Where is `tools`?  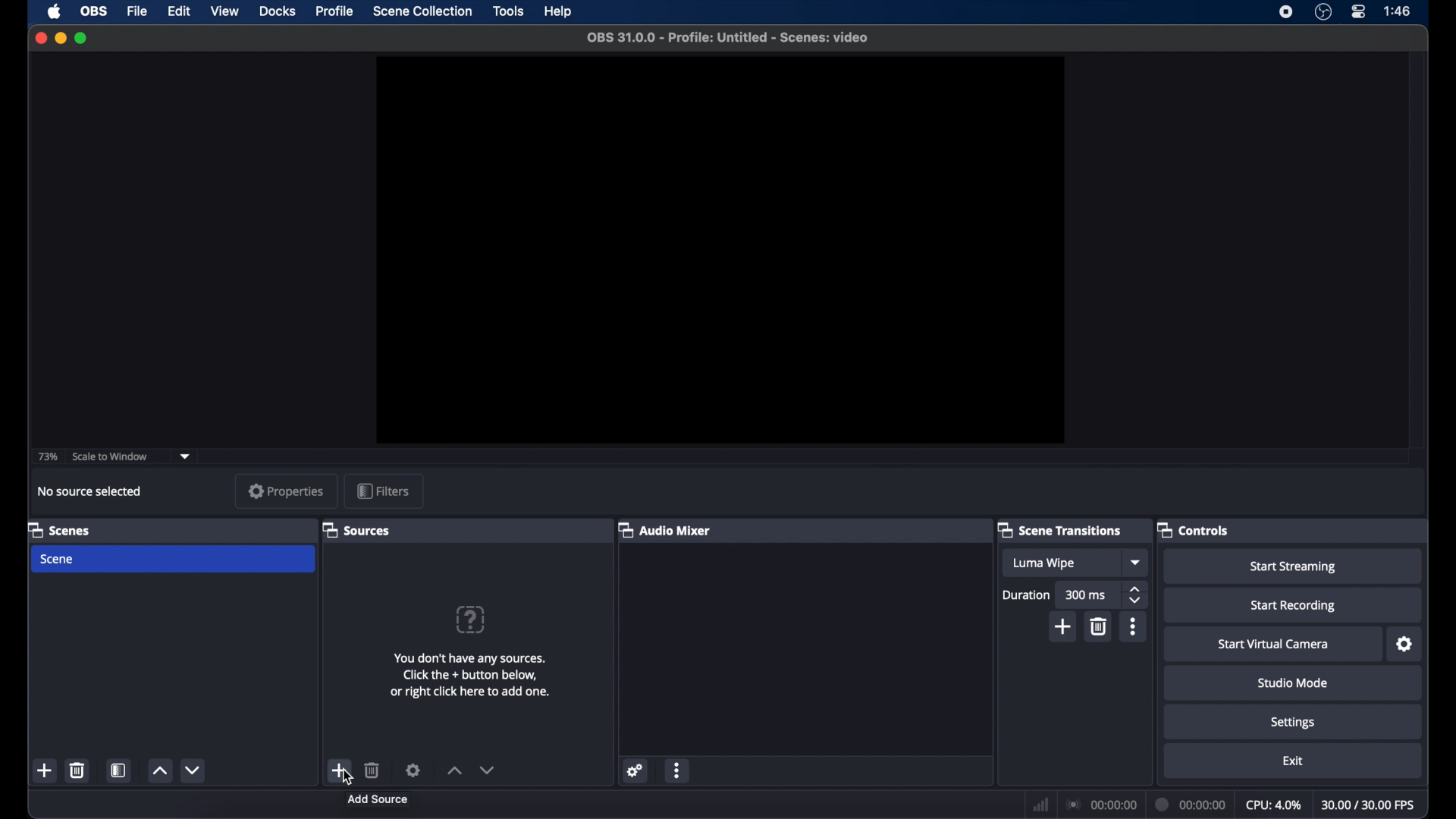
tools is located at coordinates (510, 10).